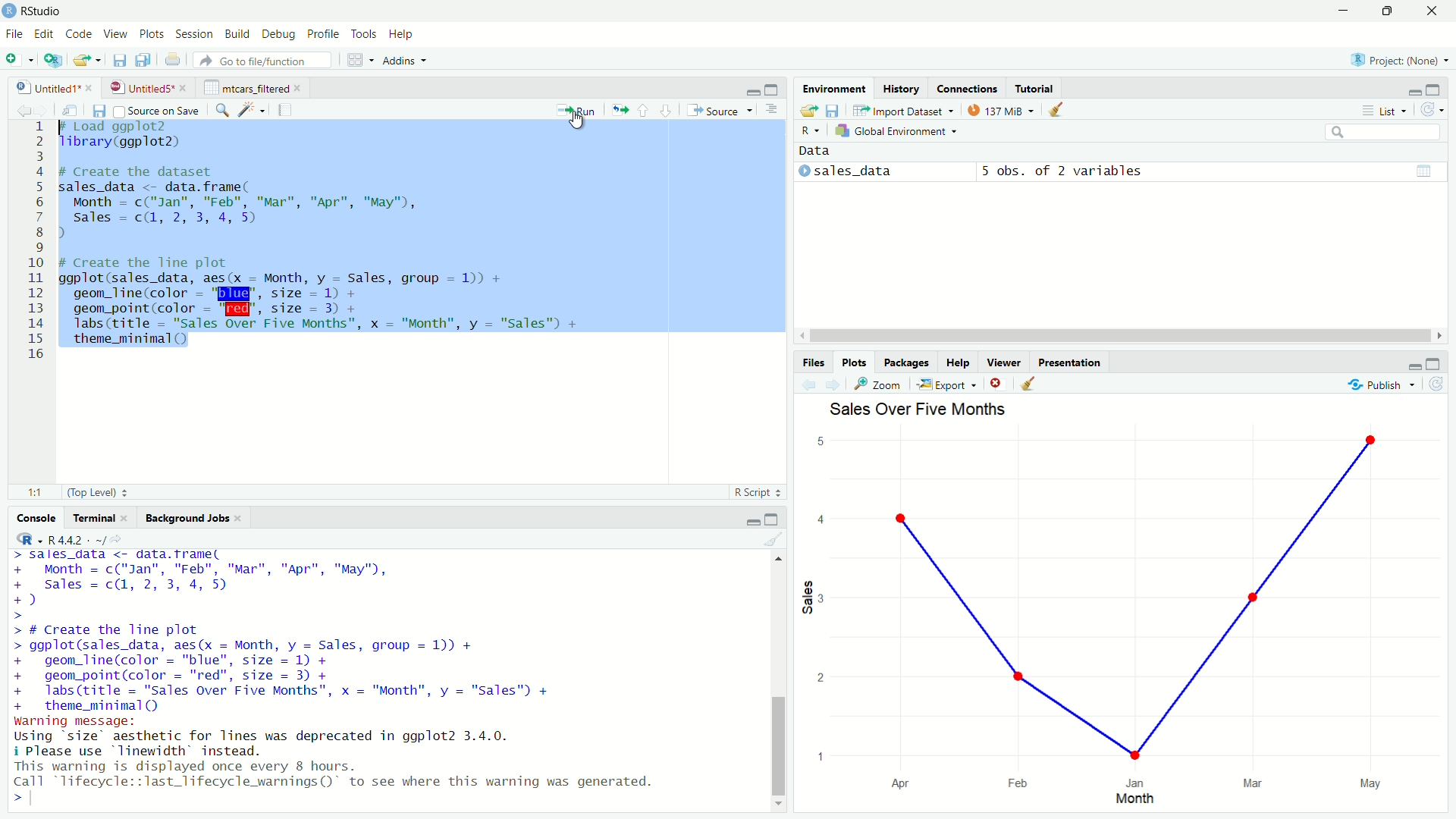 This screenshot has height=819, width=1456. I want to click on refresh, so click(1436, 384).